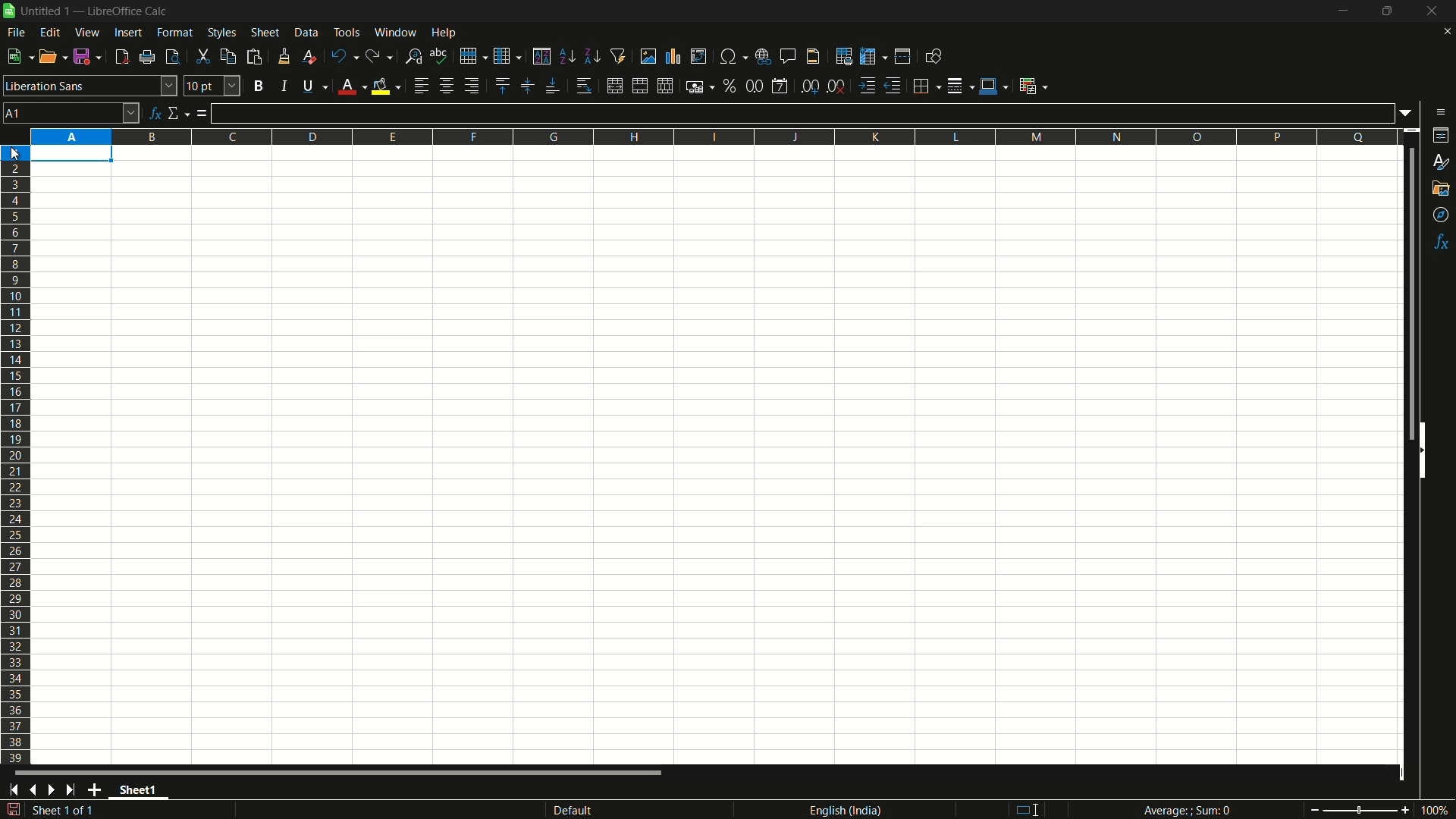 The height and width of the screenshot is (819, 1456). What do you see at coordinates (700, 86) in the screenshot?
I see `format as currency` at bounding box center [700, 86].